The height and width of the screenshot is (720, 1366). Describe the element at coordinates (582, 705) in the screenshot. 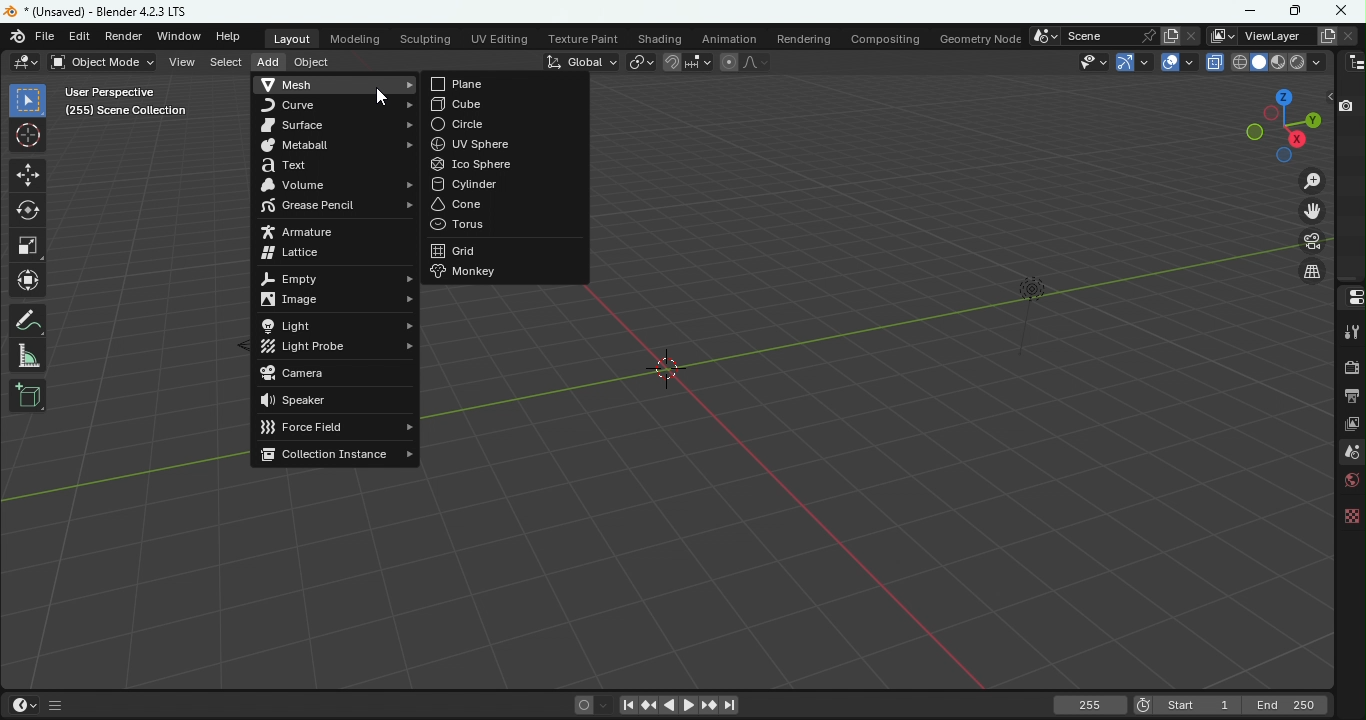

I see `Auto keying` at that location.